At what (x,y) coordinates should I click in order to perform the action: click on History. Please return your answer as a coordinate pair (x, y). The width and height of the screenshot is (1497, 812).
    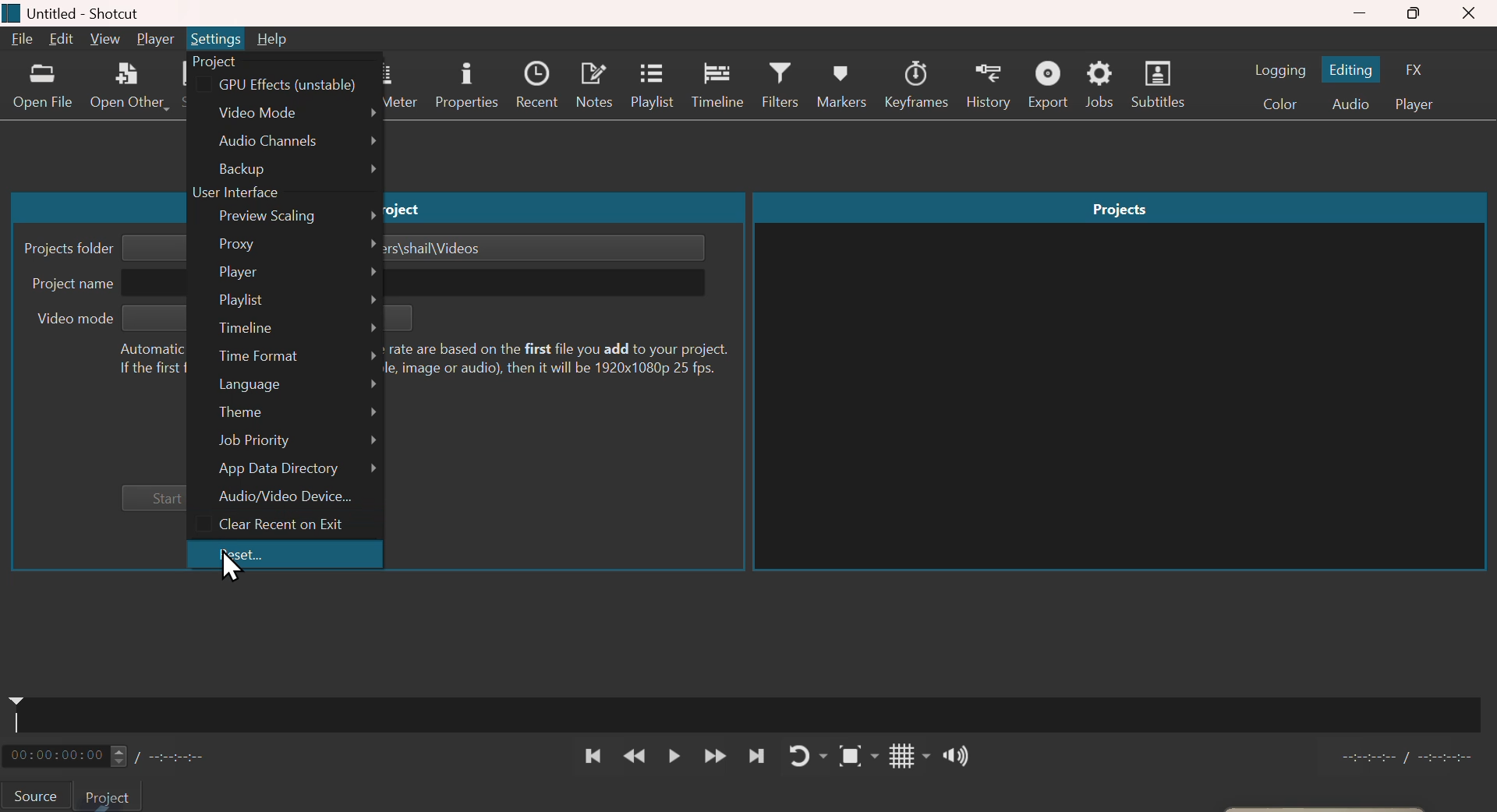
    Looking at the image, I should click on (989, 85).